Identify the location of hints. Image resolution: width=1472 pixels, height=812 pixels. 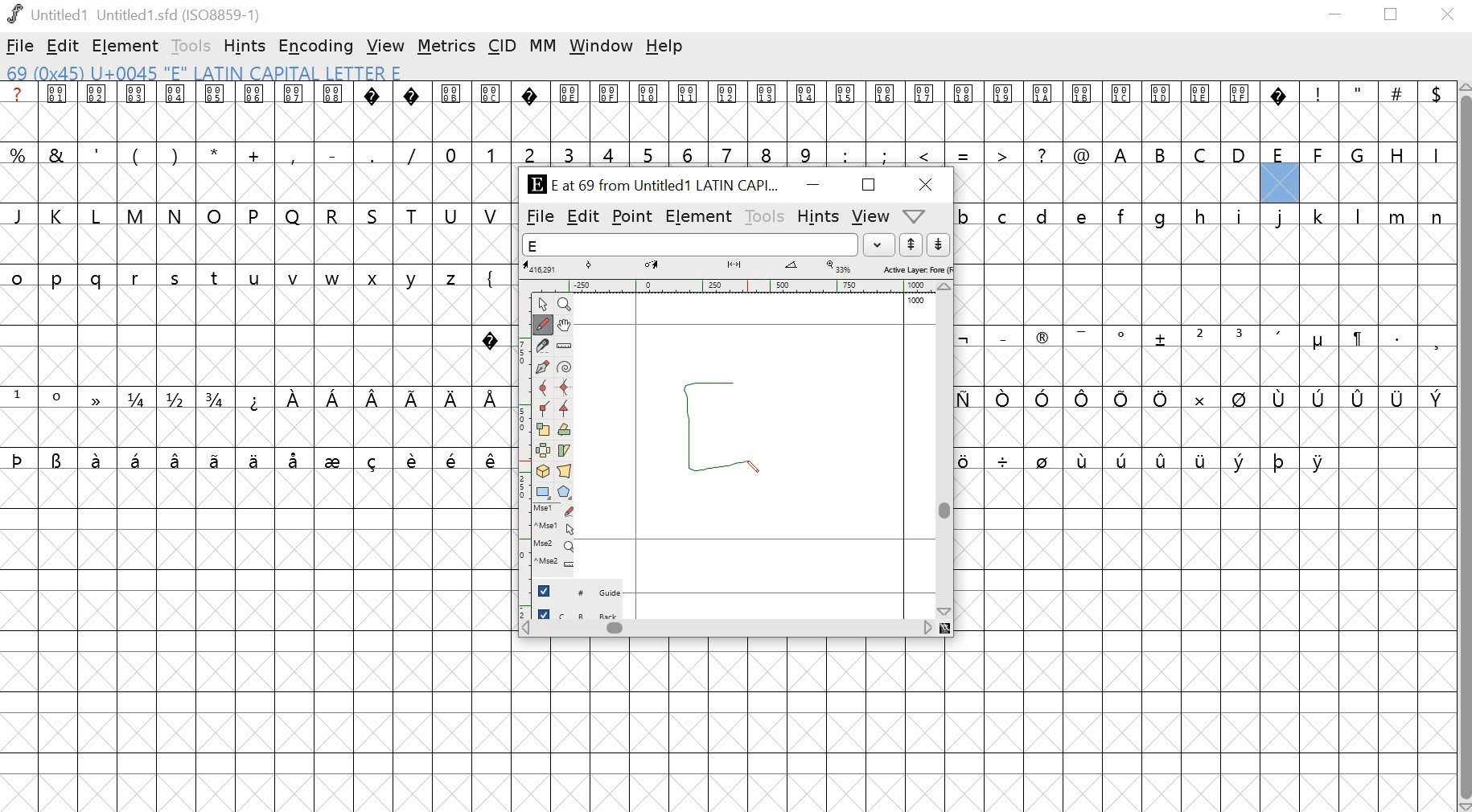
(245, 47).